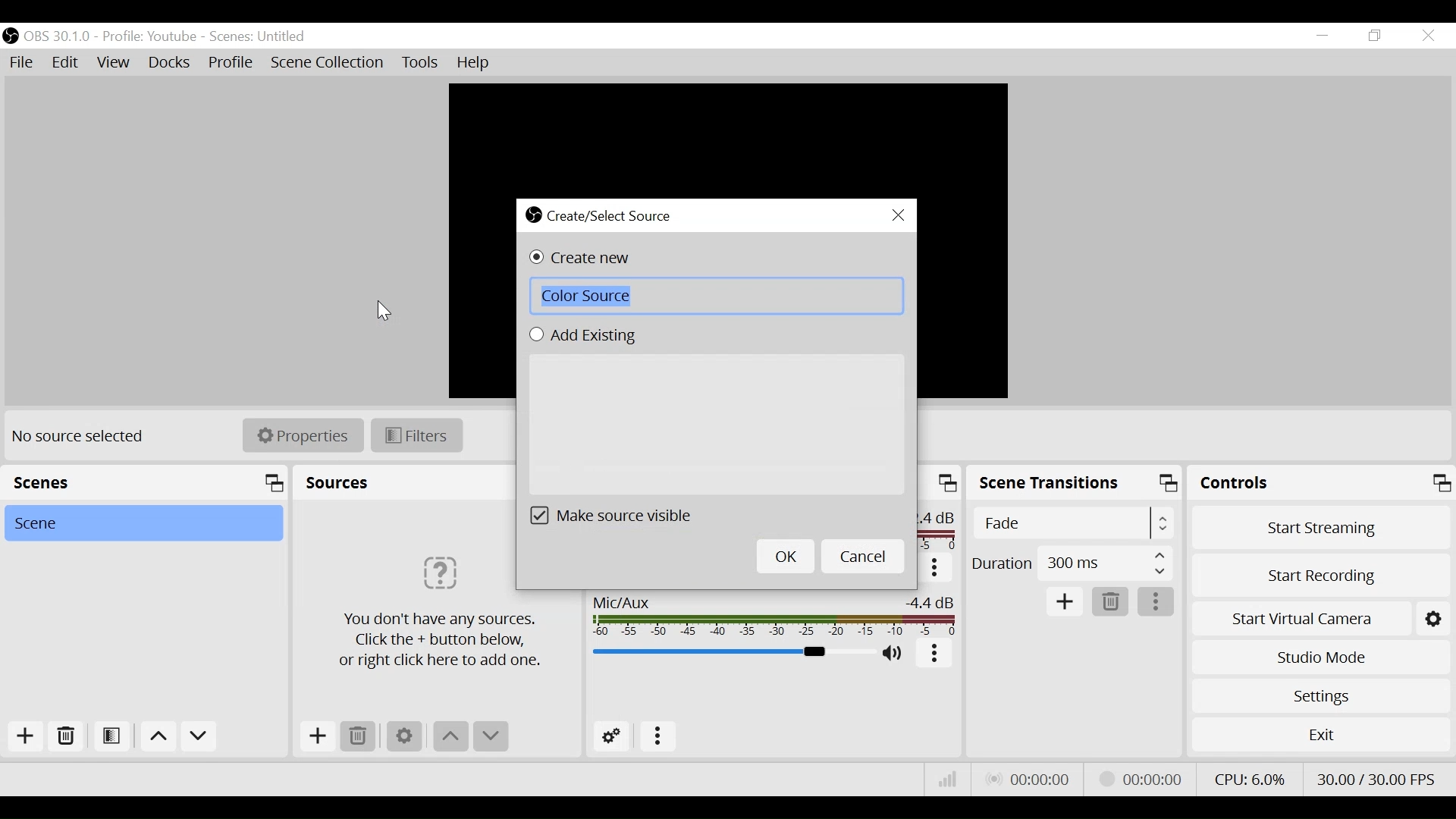 The width and height of the screenshot is (1456, 819). Describe the element at coordinates (1065, 602) in the screenshot. I see `Add` at that location.